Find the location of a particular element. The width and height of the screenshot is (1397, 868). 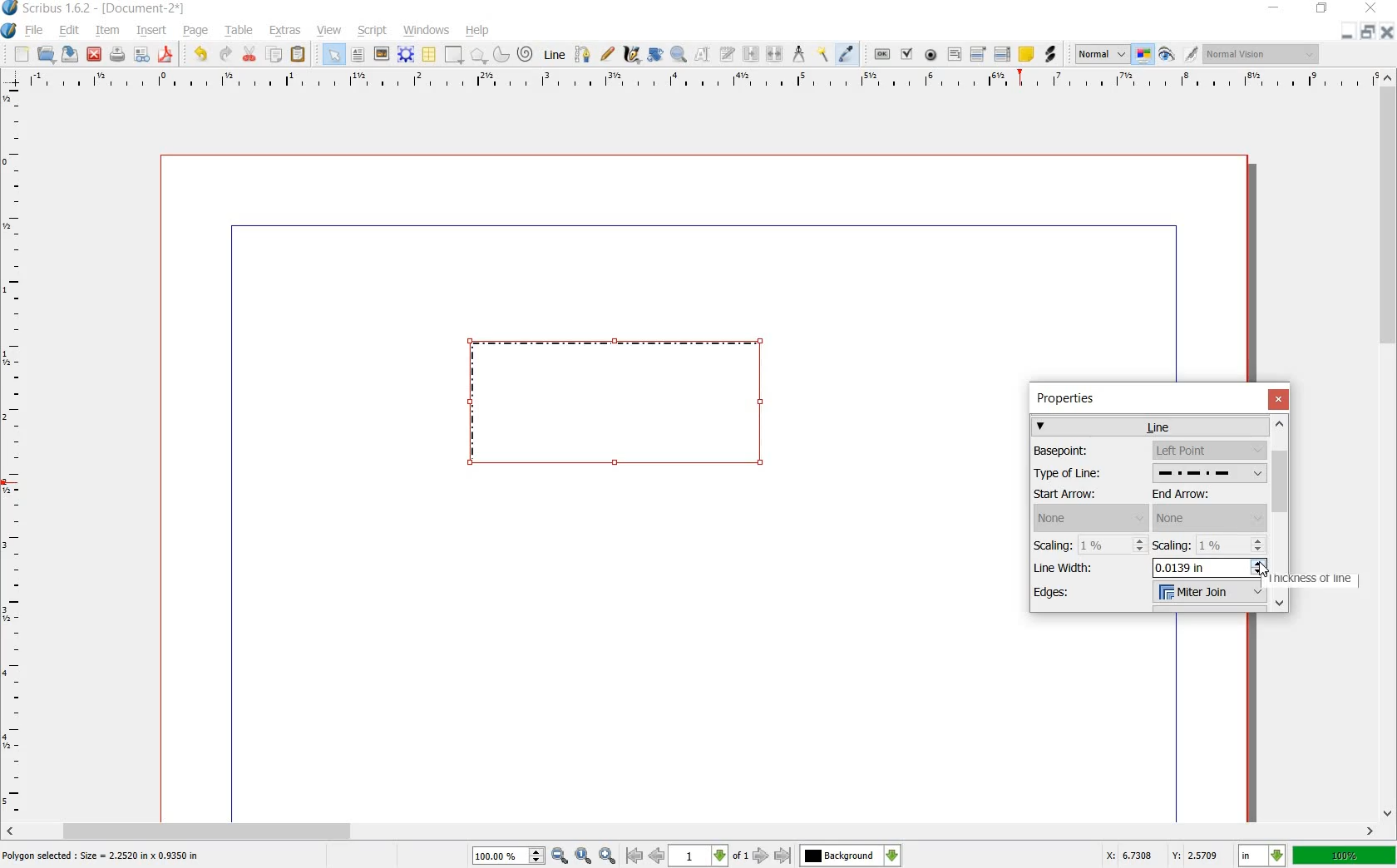

RENDER FRAME is located at coordinates (405, 55).